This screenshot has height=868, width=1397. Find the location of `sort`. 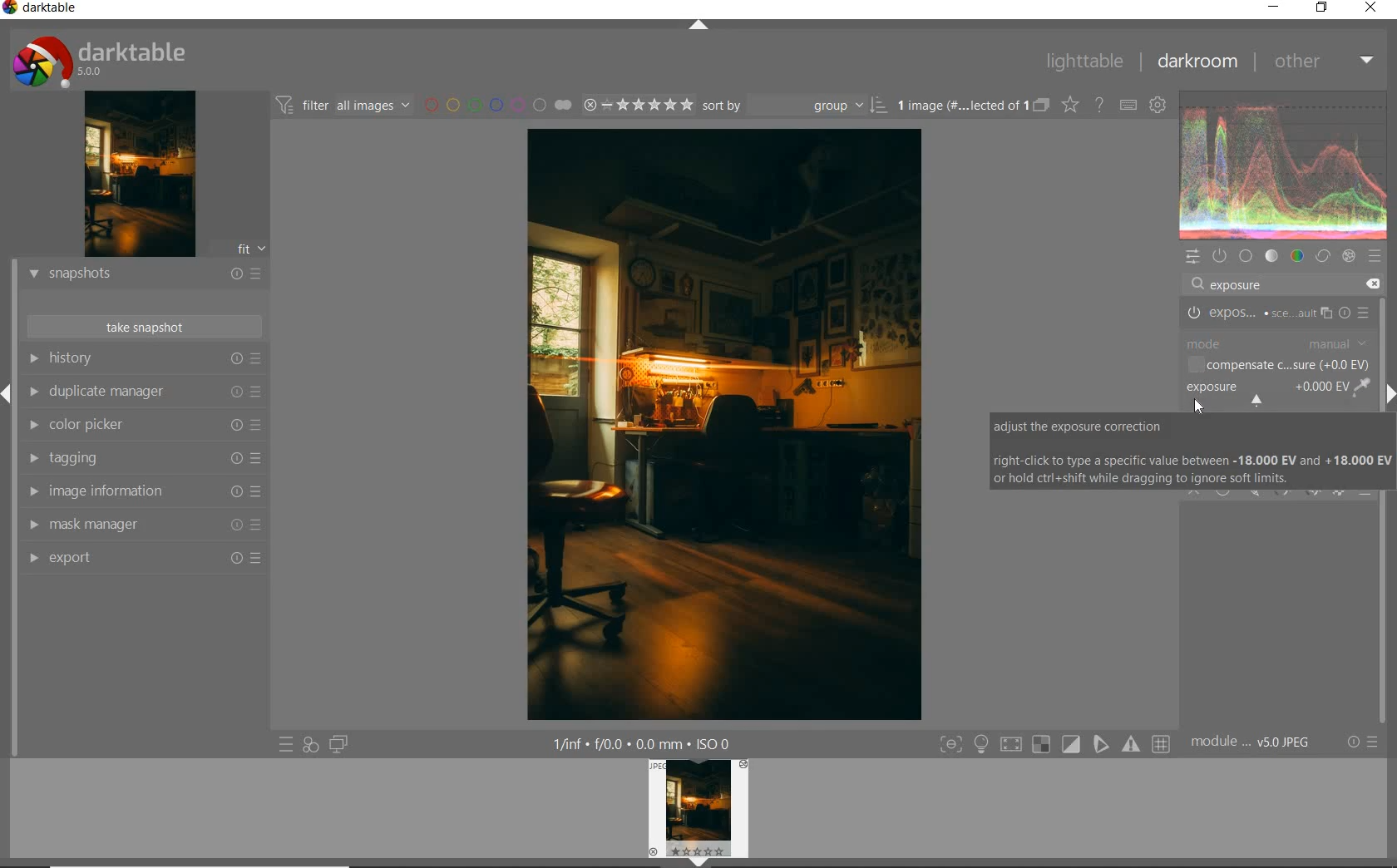

sort is located at coordinates (793, 106).